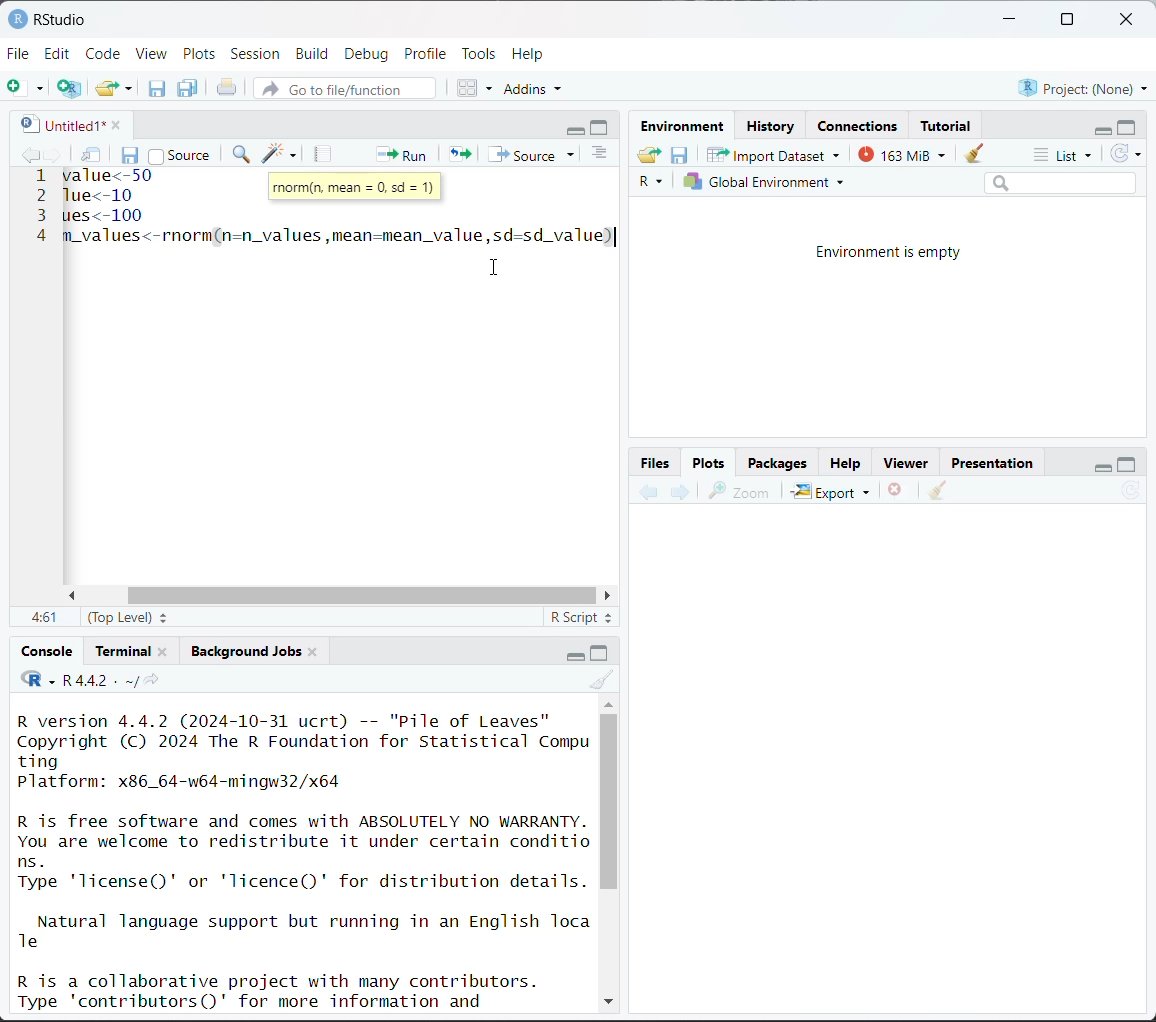  What do you see at coordinates (256, 55) in the screenshot?
I see `Session` at bounding box center [256, 55].